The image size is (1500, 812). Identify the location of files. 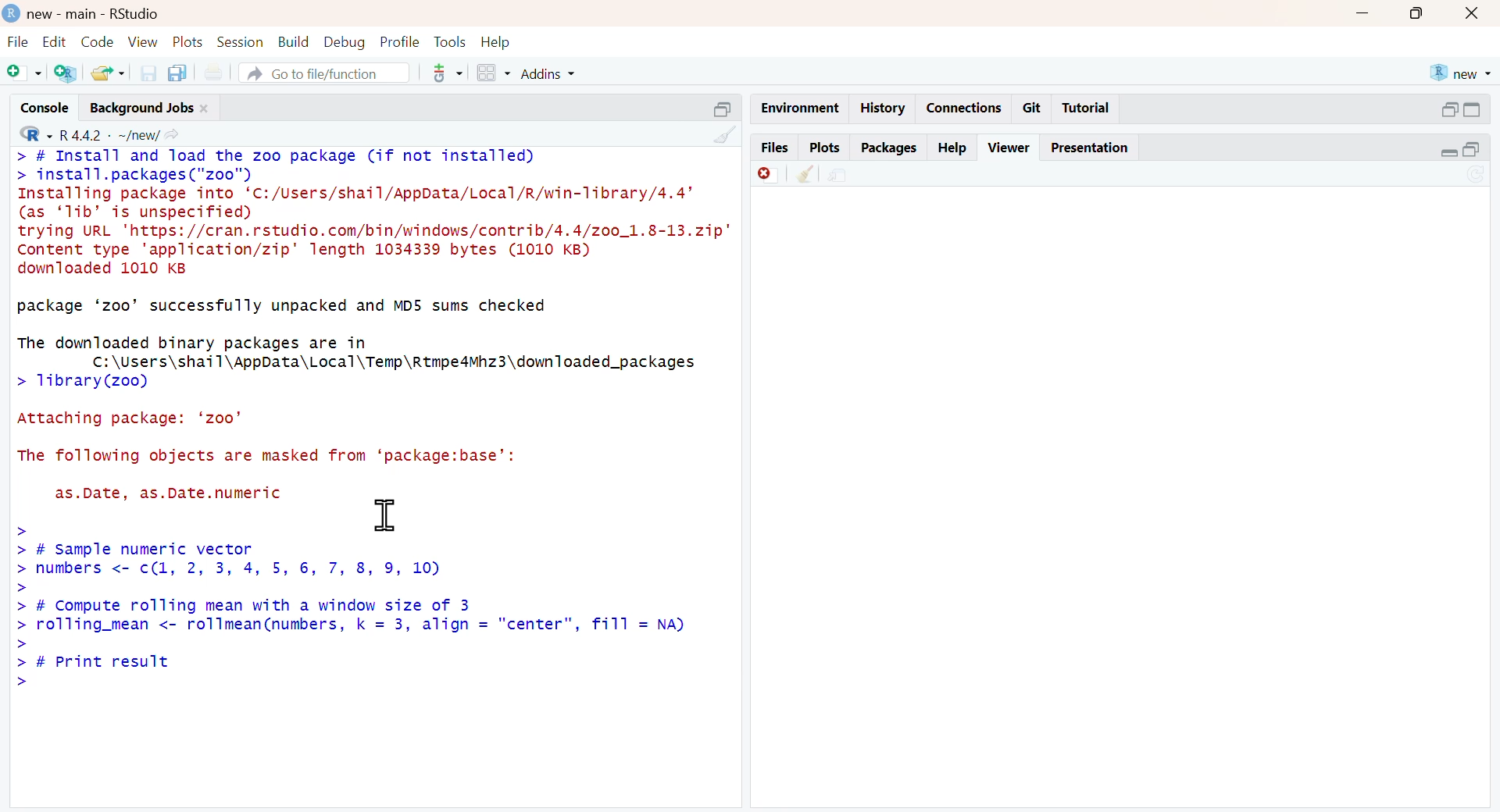
(773, 148).